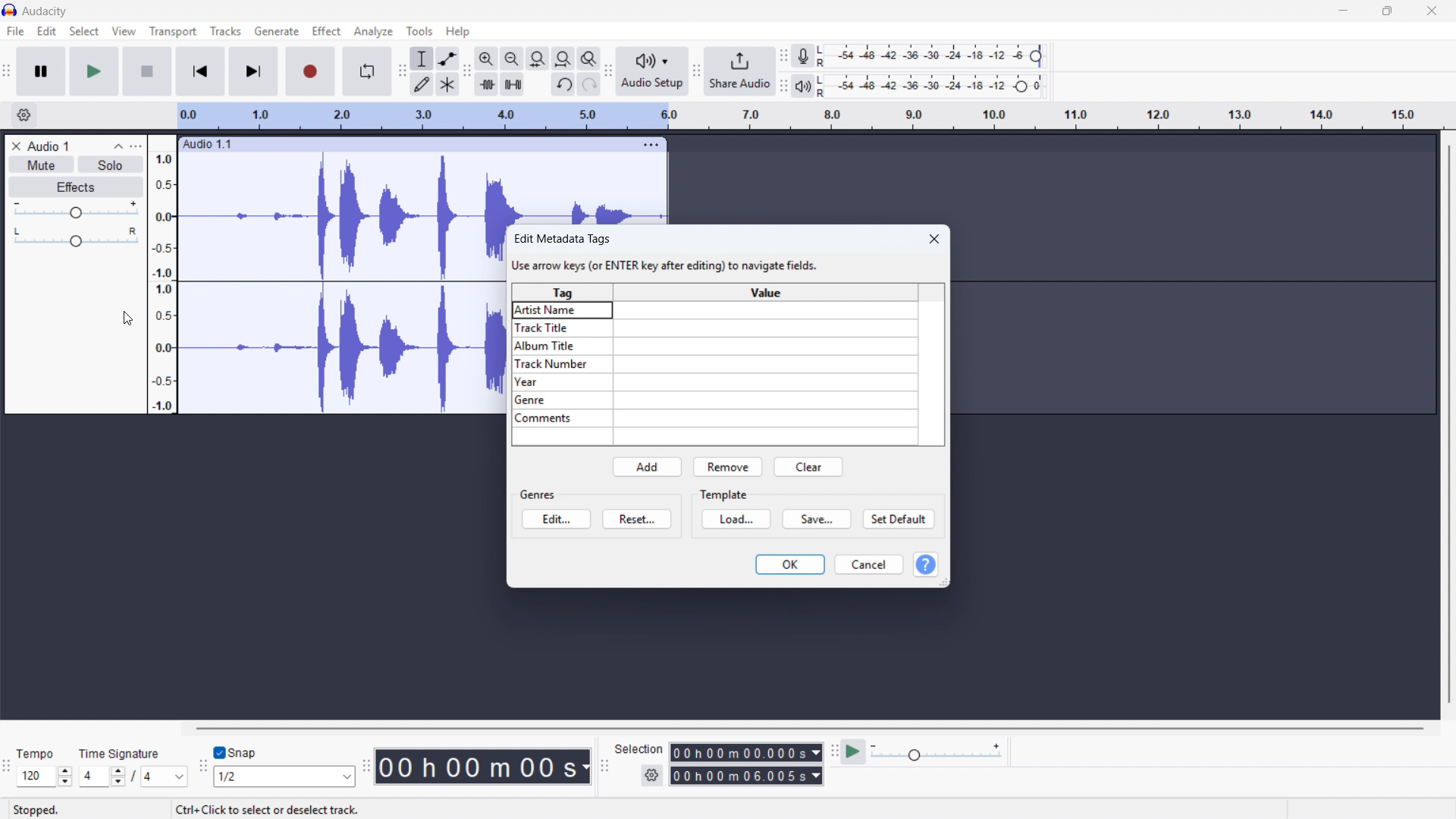 This screenshot has width=1456, height=819. Describe the element at coordinates (767, 292) in the screenshot. I see `Genres` at that location.